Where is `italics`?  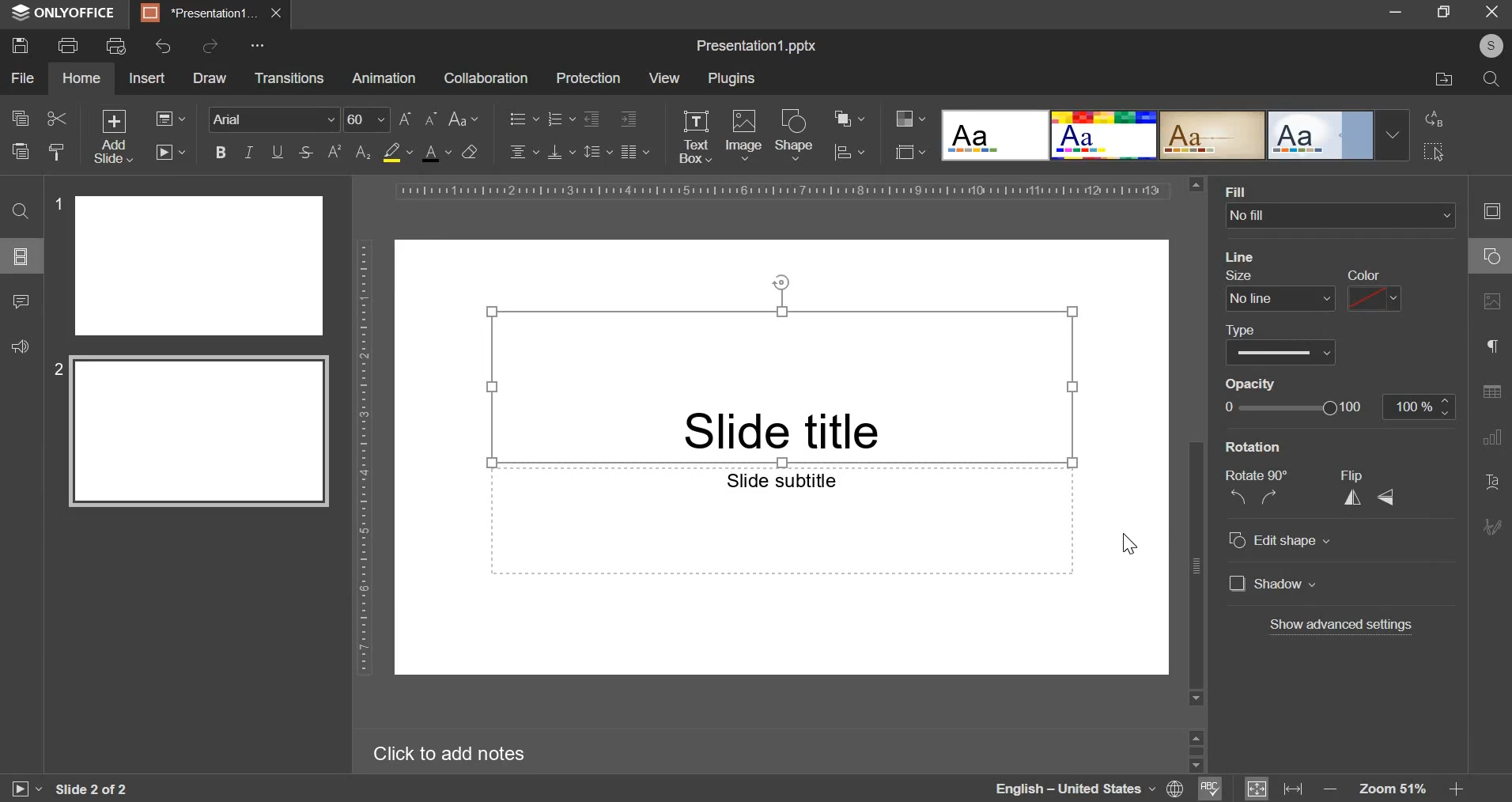 italics is located at coordinates (248, 151).